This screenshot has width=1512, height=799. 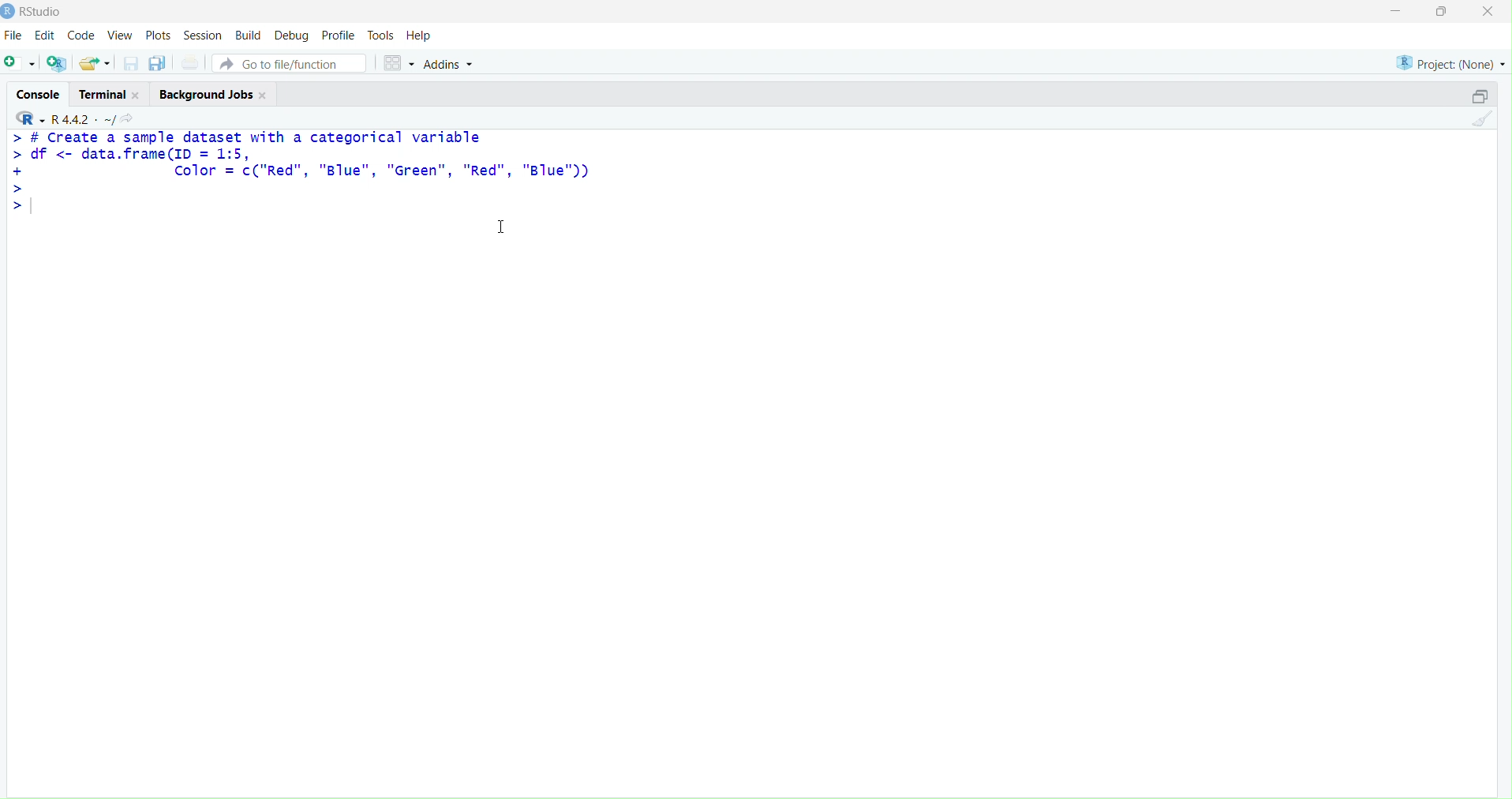 I want to click on help, so click(x=419, y=36).